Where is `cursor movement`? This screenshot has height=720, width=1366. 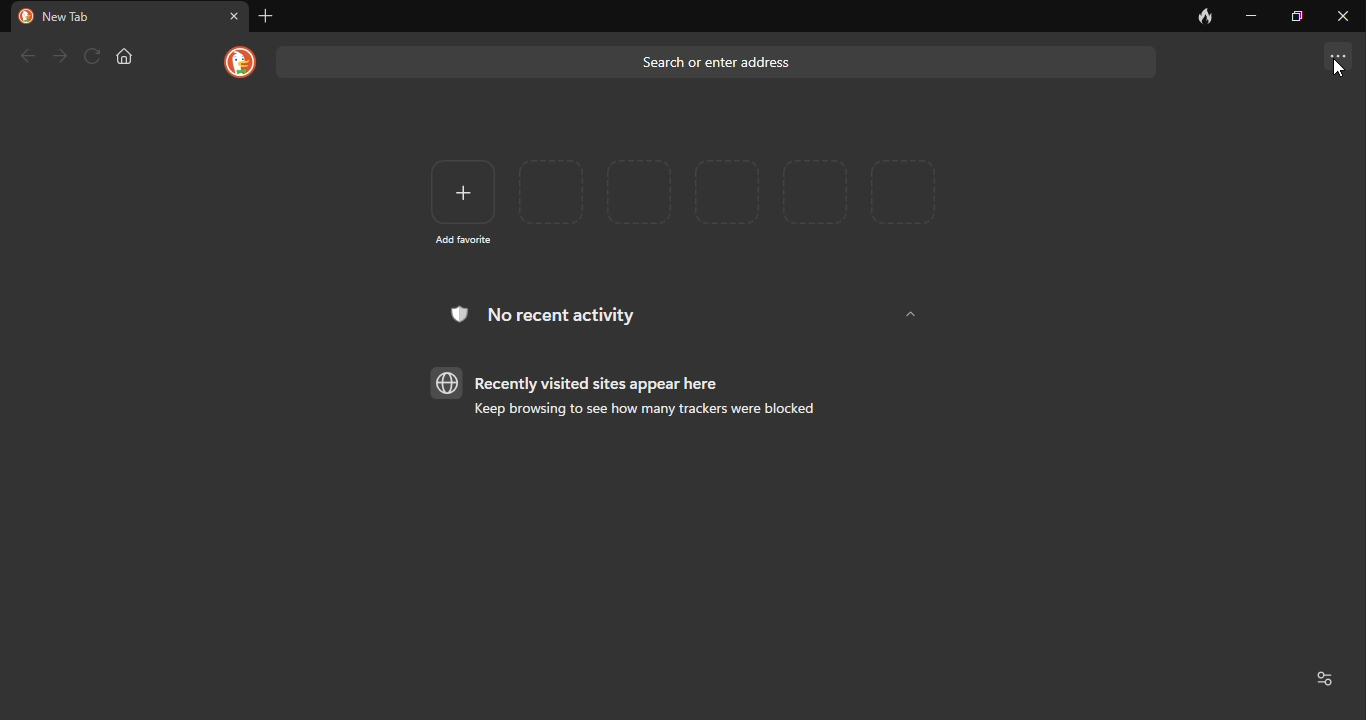
cursor movement is located at coordinates (1340, 69).